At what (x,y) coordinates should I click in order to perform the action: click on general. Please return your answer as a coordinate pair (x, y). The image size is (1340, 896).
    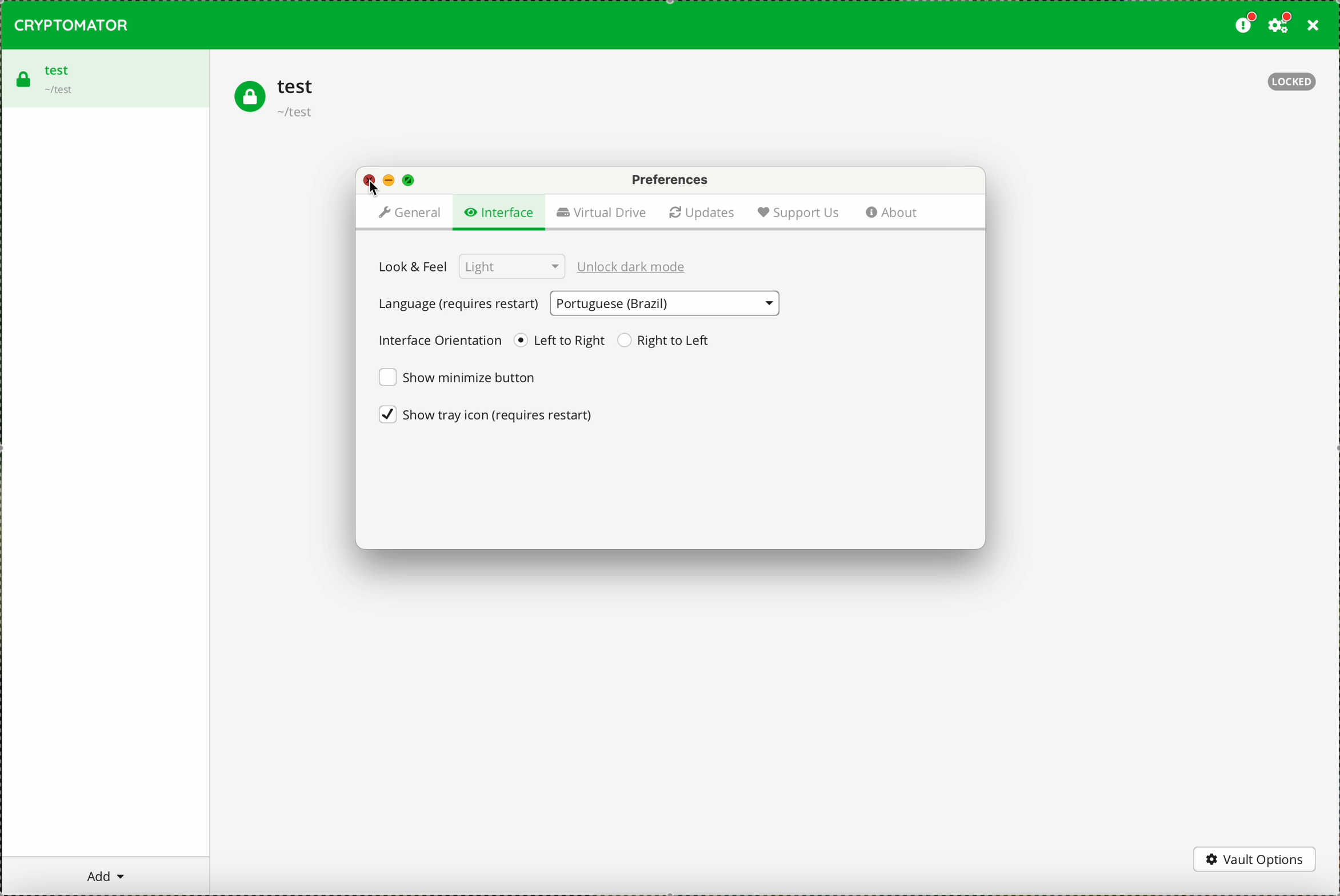
    Looking at the image, I should click on (407, 211).